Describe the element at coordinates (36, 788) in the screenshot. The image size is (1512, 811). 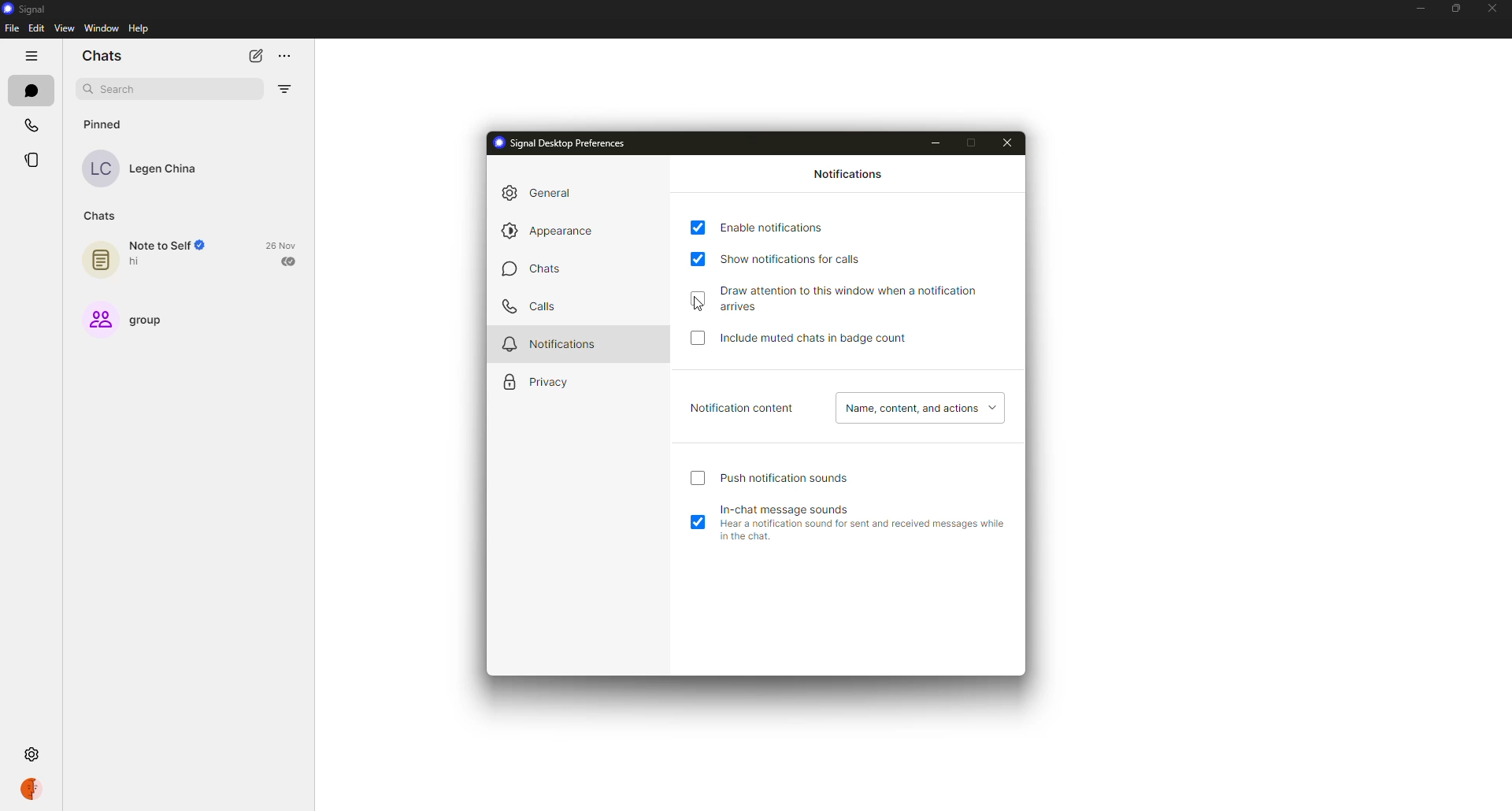
I see `profile` at that location.